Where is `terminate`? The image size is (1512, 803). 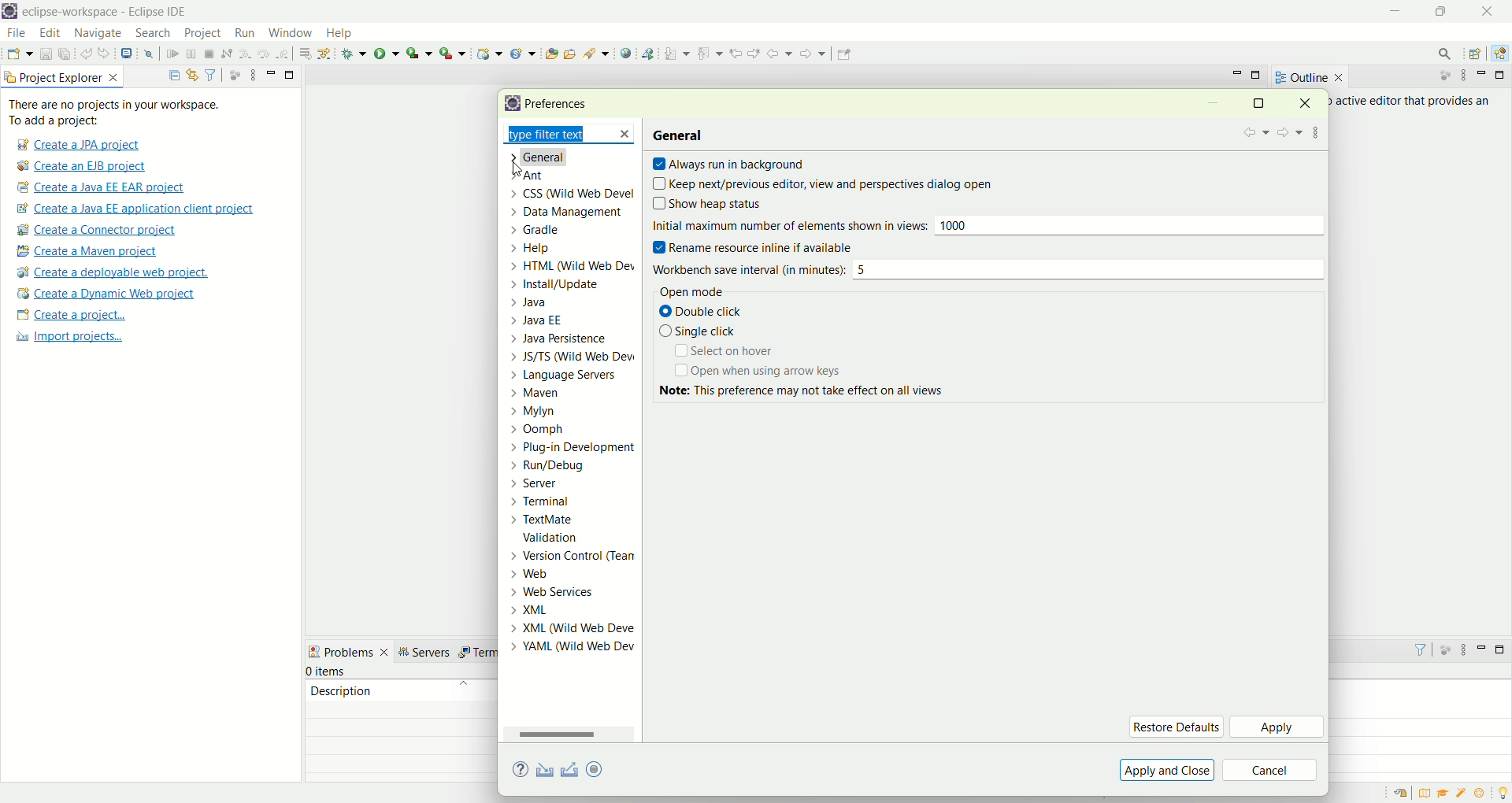 terminate is located at coordinates (209, 55).